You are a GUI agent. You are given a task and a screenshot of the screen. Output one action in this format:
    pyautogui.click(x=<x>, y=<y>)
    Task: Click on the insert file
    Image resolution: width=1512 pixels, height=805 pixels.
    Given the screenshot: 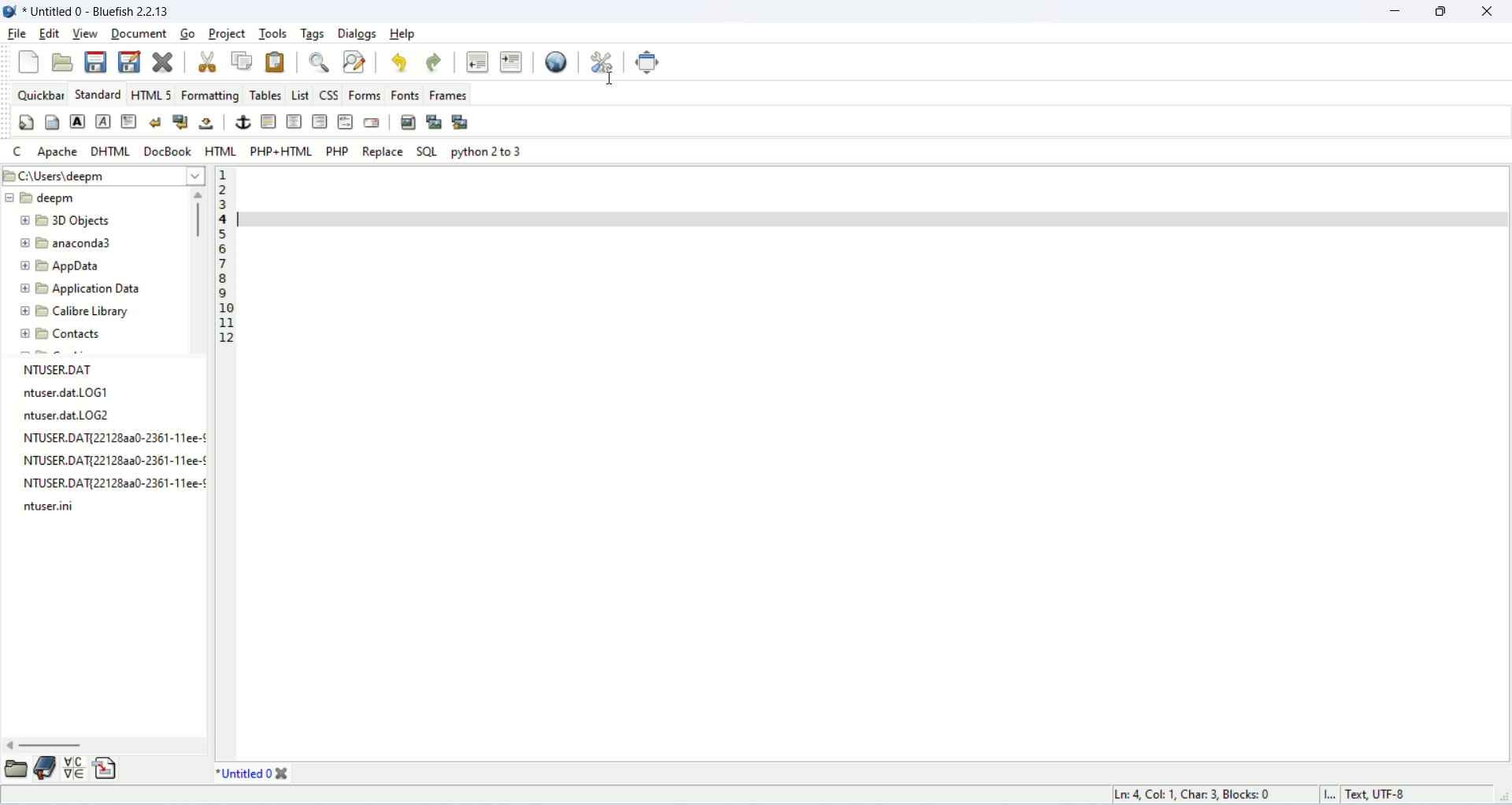 What is the action you would take?
    pyautogui.click(x=106, y=770)
    